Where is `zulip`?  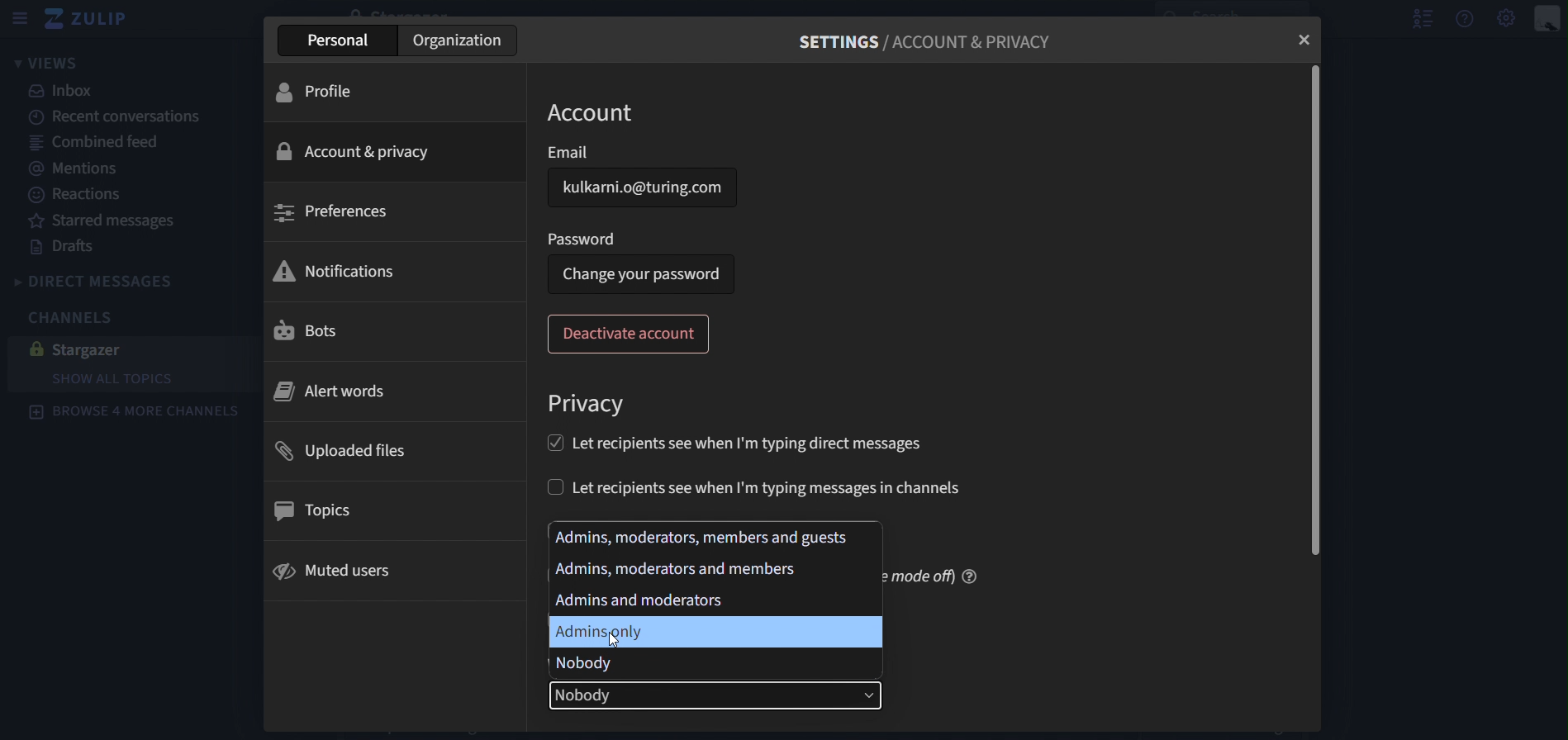
zulip is located at coordinates (93, 20).